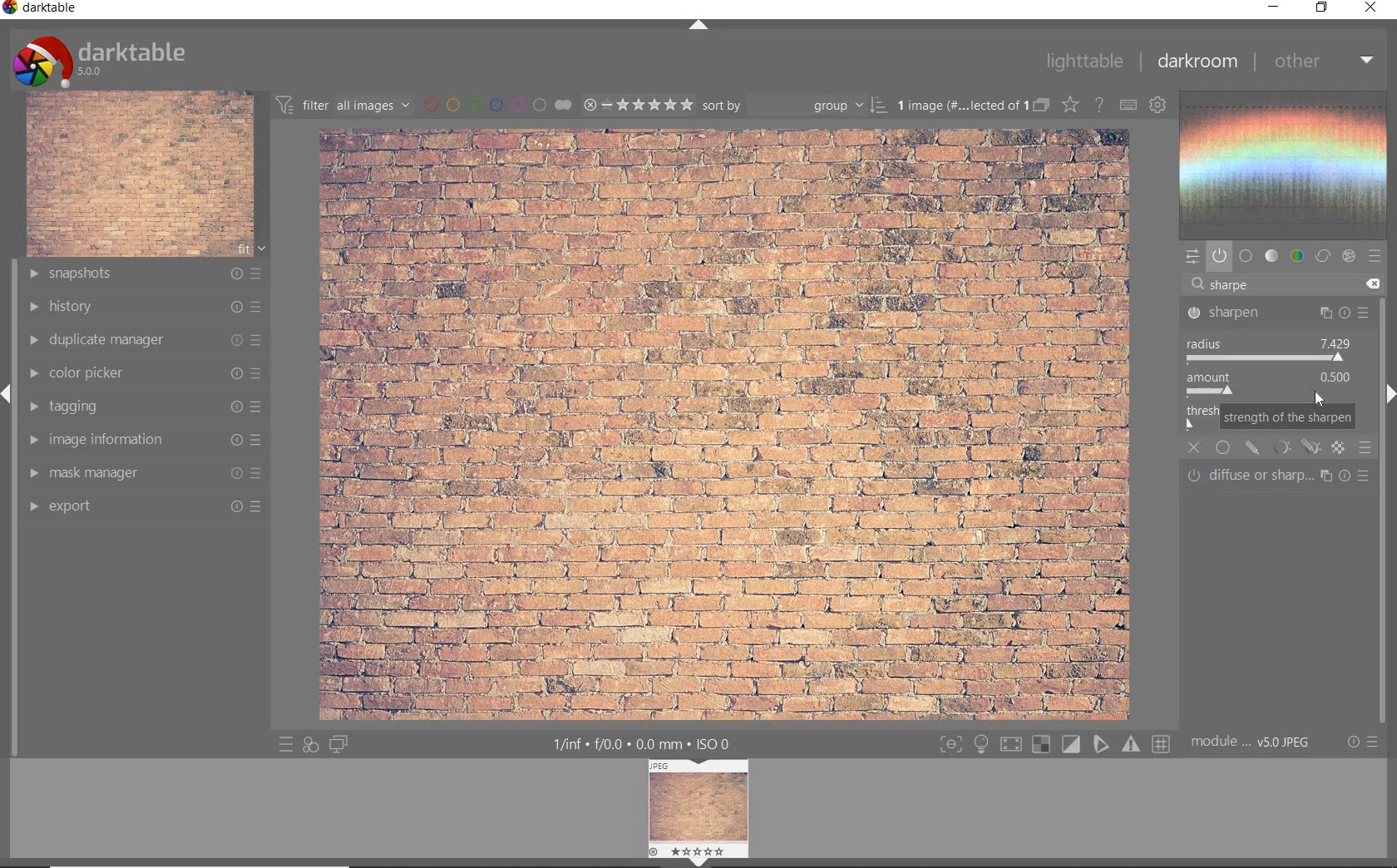 Image resolution: width=1397 pixels, height=868 pixels. Describe the element at coordinates (1157, 106) in the screenshot. I see `show global preference` at that location.